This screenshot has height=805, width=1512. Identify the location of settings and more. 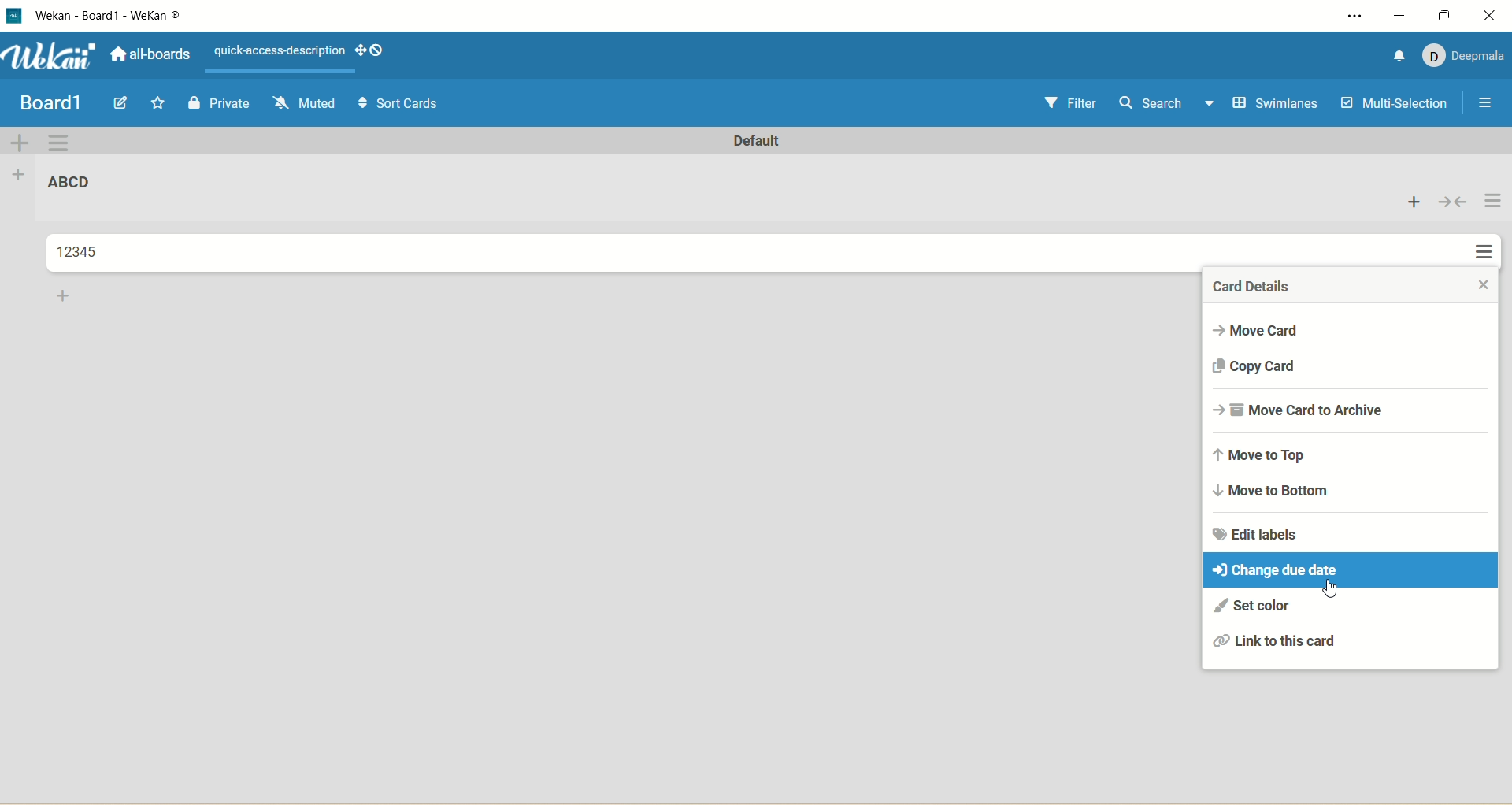
(1346, 16).